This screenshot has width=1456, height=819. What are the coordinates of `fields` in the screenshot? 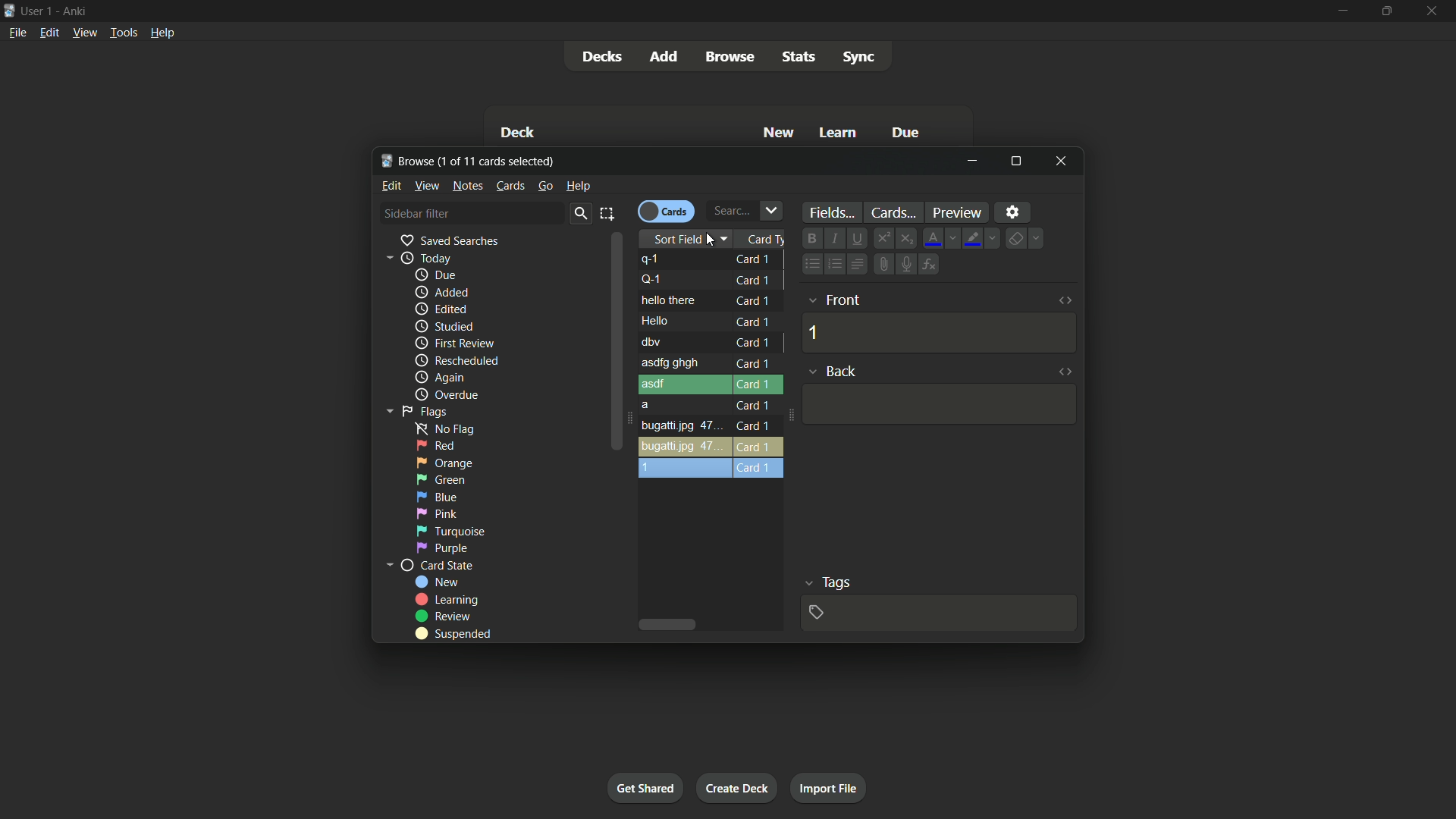 It's located at (830, 212).